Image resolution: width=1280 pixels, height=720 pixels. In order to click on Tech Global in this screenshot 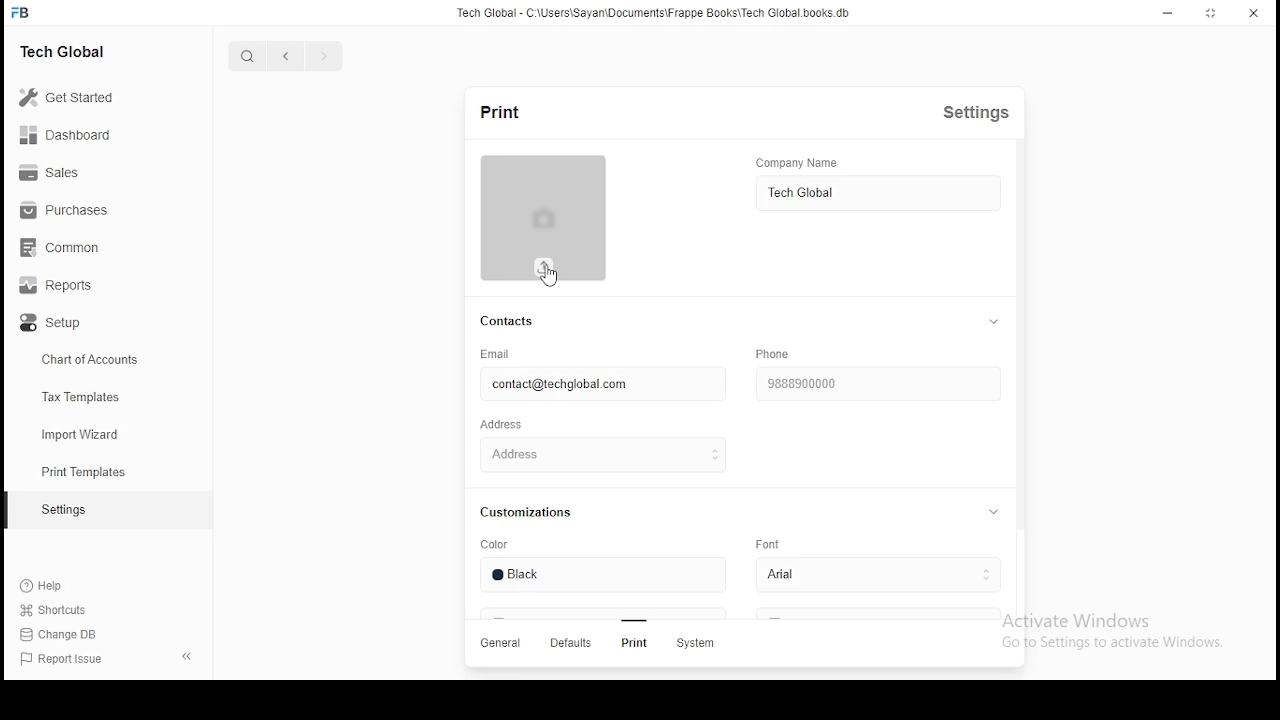, I will do `click(85, 50)`.